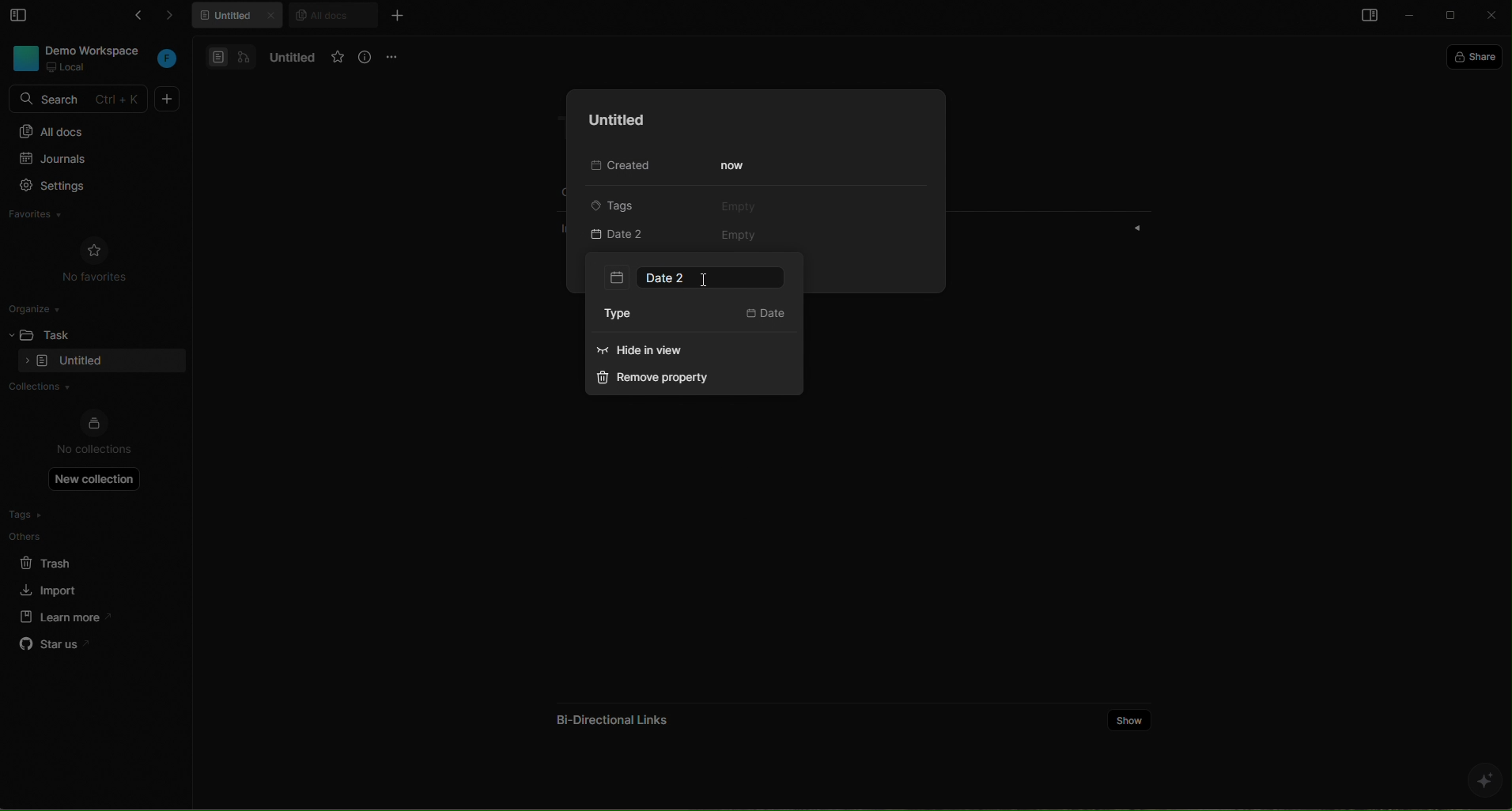 This screenshot has height=811, width=1512. I want to click on show, so click(1130, 719).